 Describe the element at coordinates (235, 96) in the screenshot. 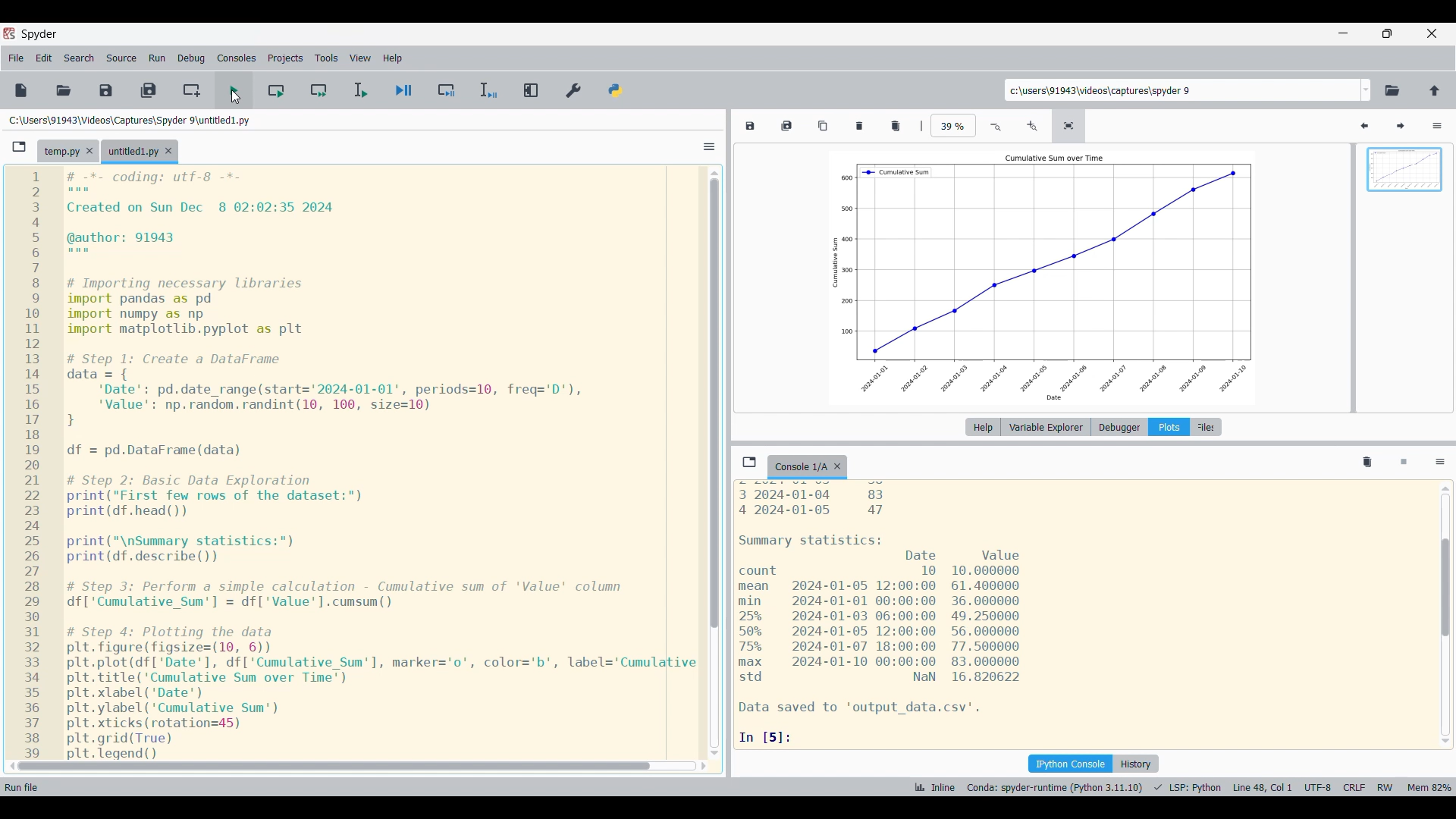

I see `Cursor position unchanged` at that location.